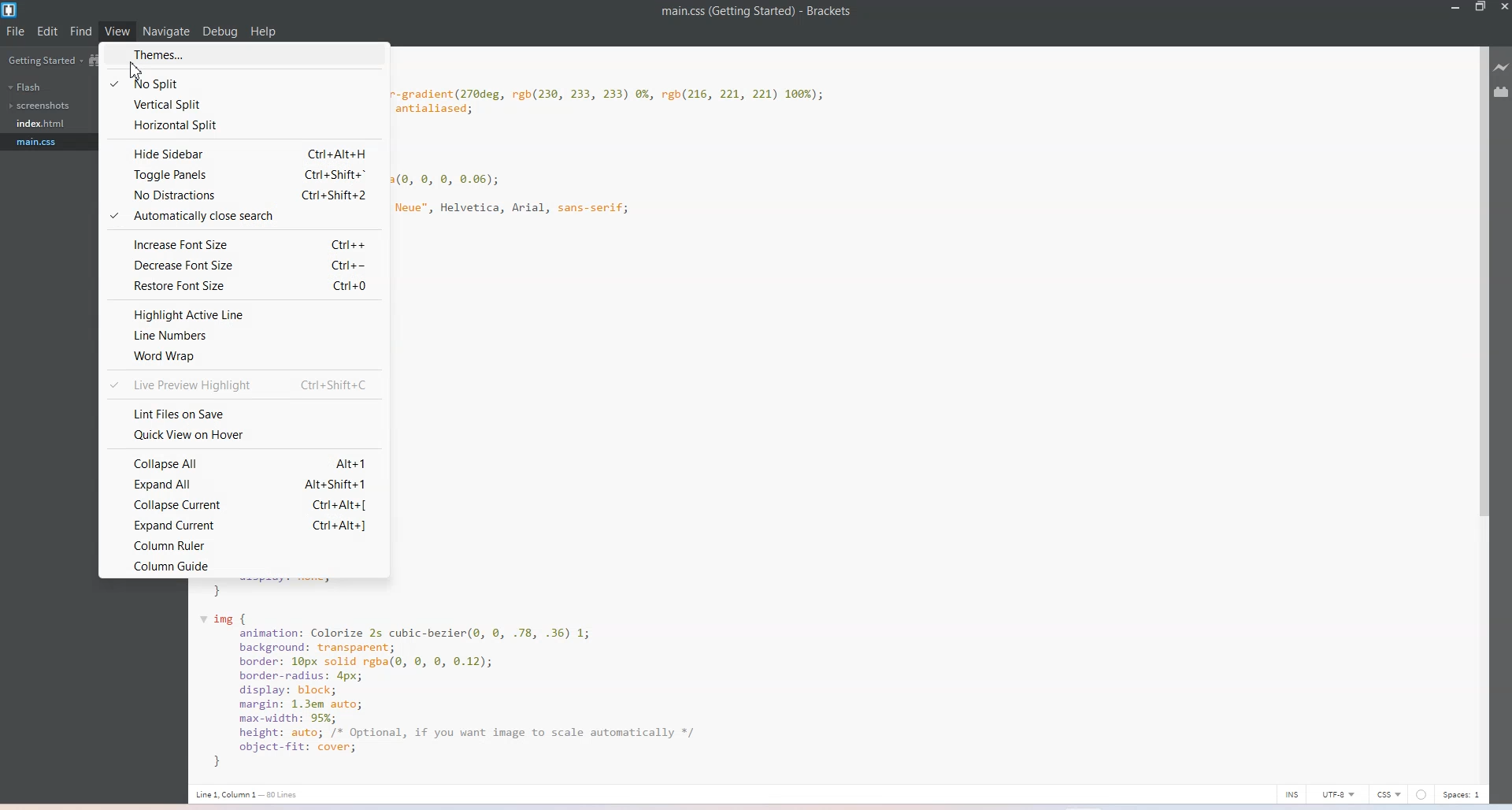 The height and width of the screenshot is (810, 1512). Describe the element at coordinates (253, 794) in the screenshot. I see `Text 3 ` at that location.